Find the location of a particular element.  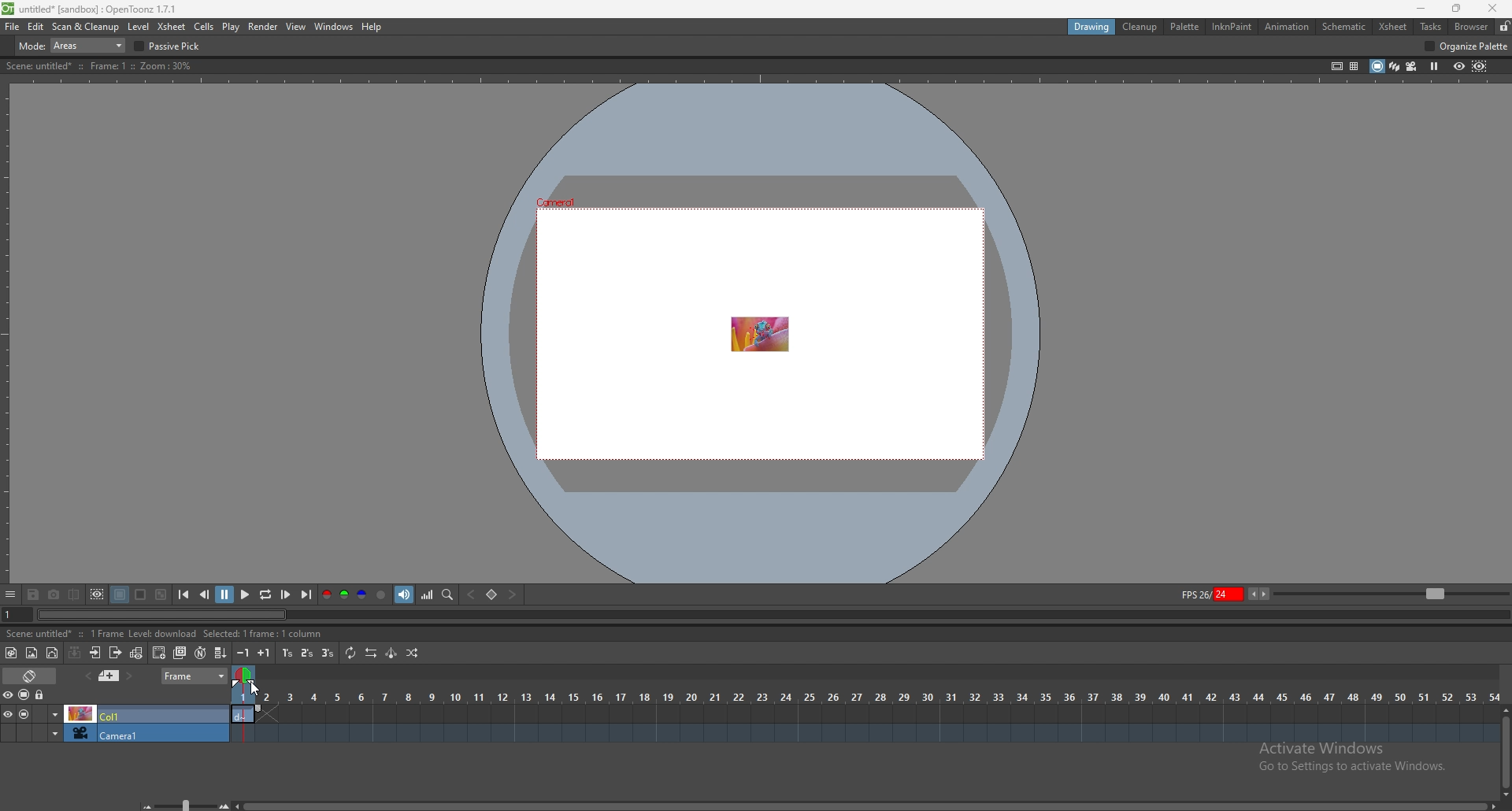

new toonz raster level is located at coordinates (12, 653).